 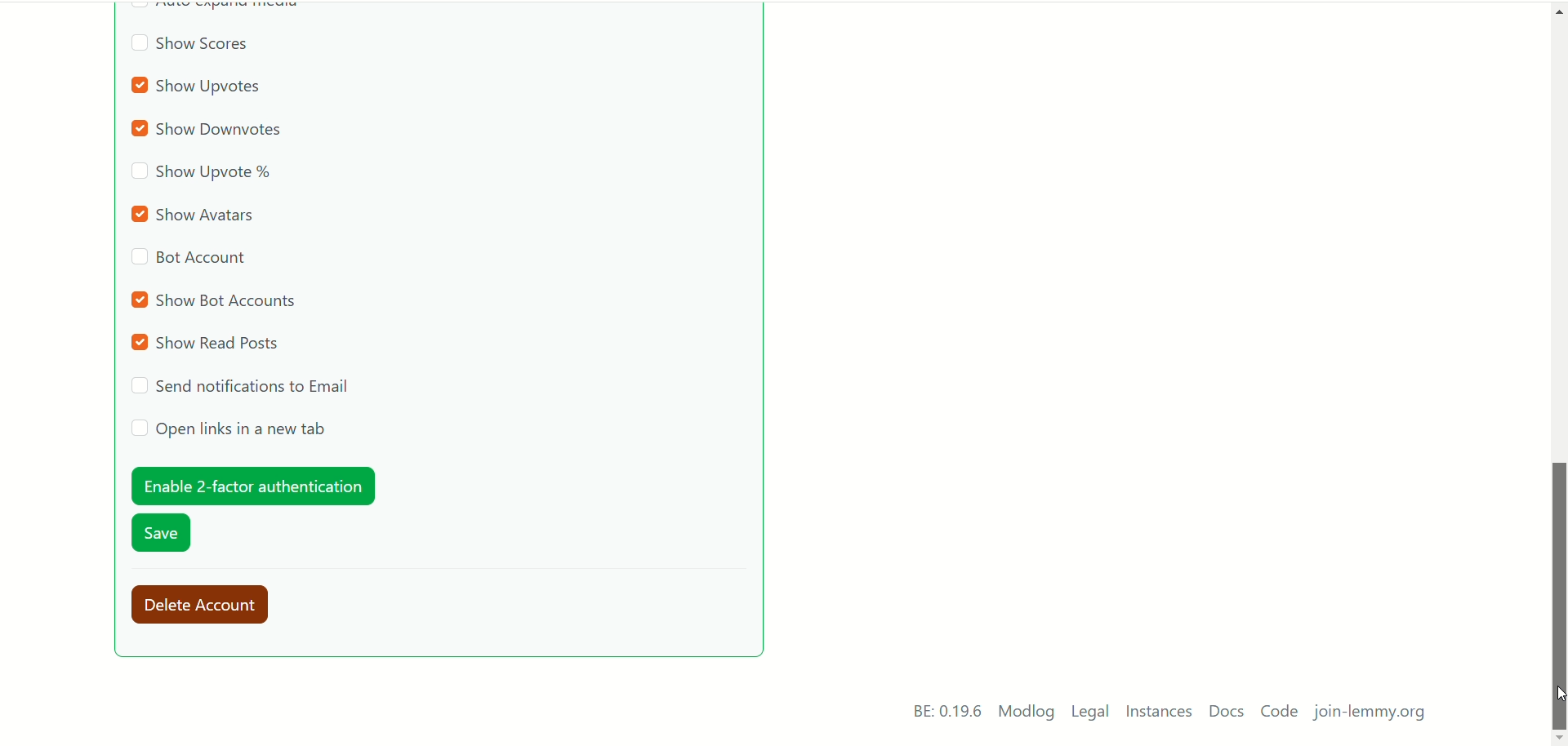 What do you see at coordinates (1558, 693) in the screenshot?
I see `Cursor` at bounding box center [1558, 693].